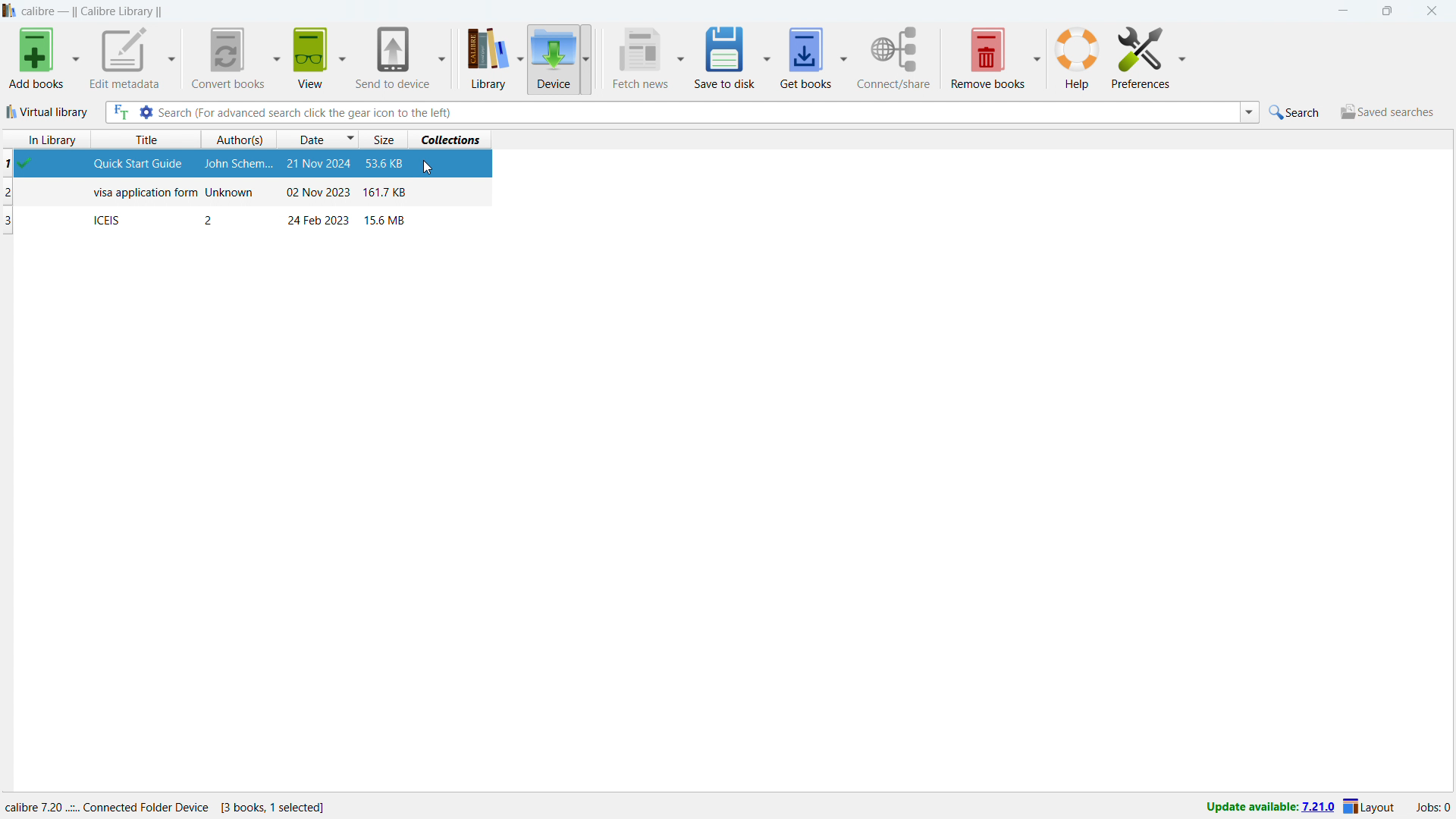 This screenshot has height=819, width=1456. Describe the element at coordinates (441, 58) in the screenshot. I see `send to device options` at that location.